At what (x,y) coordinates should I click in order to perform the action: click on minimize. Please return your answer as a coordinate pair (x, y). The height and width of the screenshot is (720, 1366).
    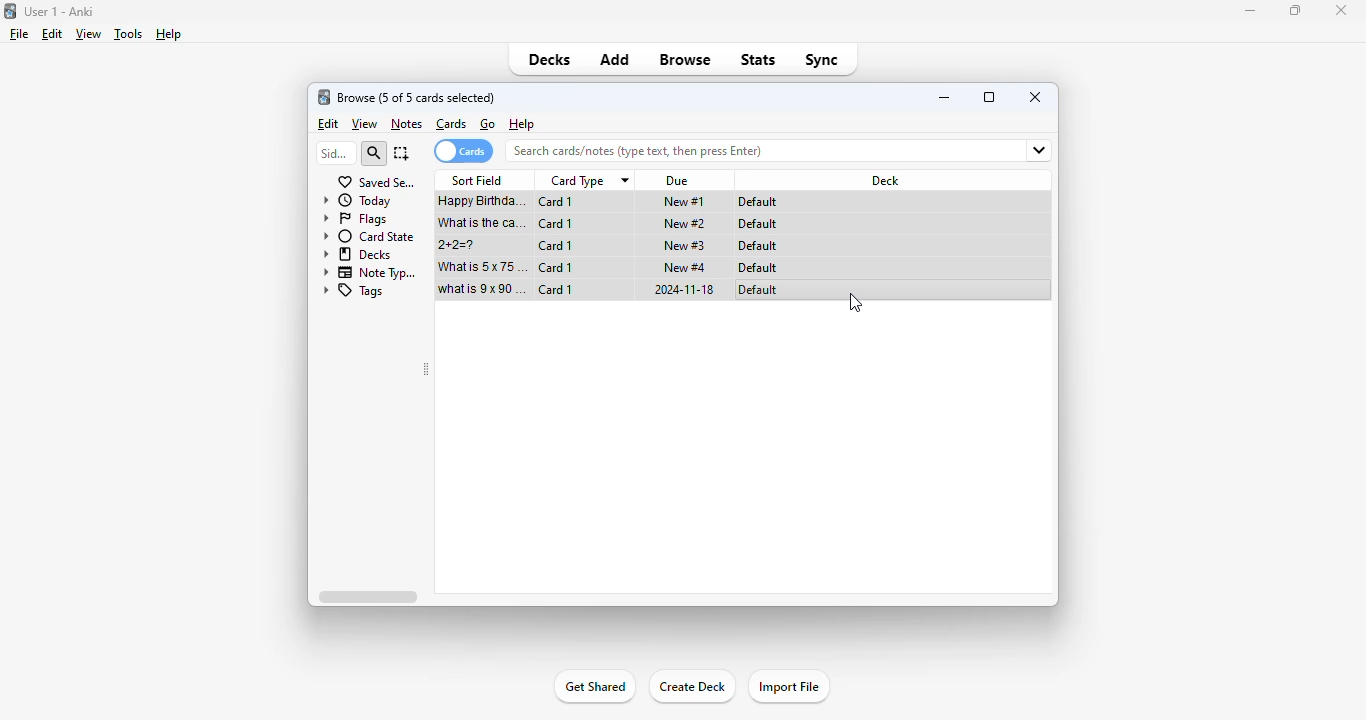
    Looking at the image, I should click on (946, 97).